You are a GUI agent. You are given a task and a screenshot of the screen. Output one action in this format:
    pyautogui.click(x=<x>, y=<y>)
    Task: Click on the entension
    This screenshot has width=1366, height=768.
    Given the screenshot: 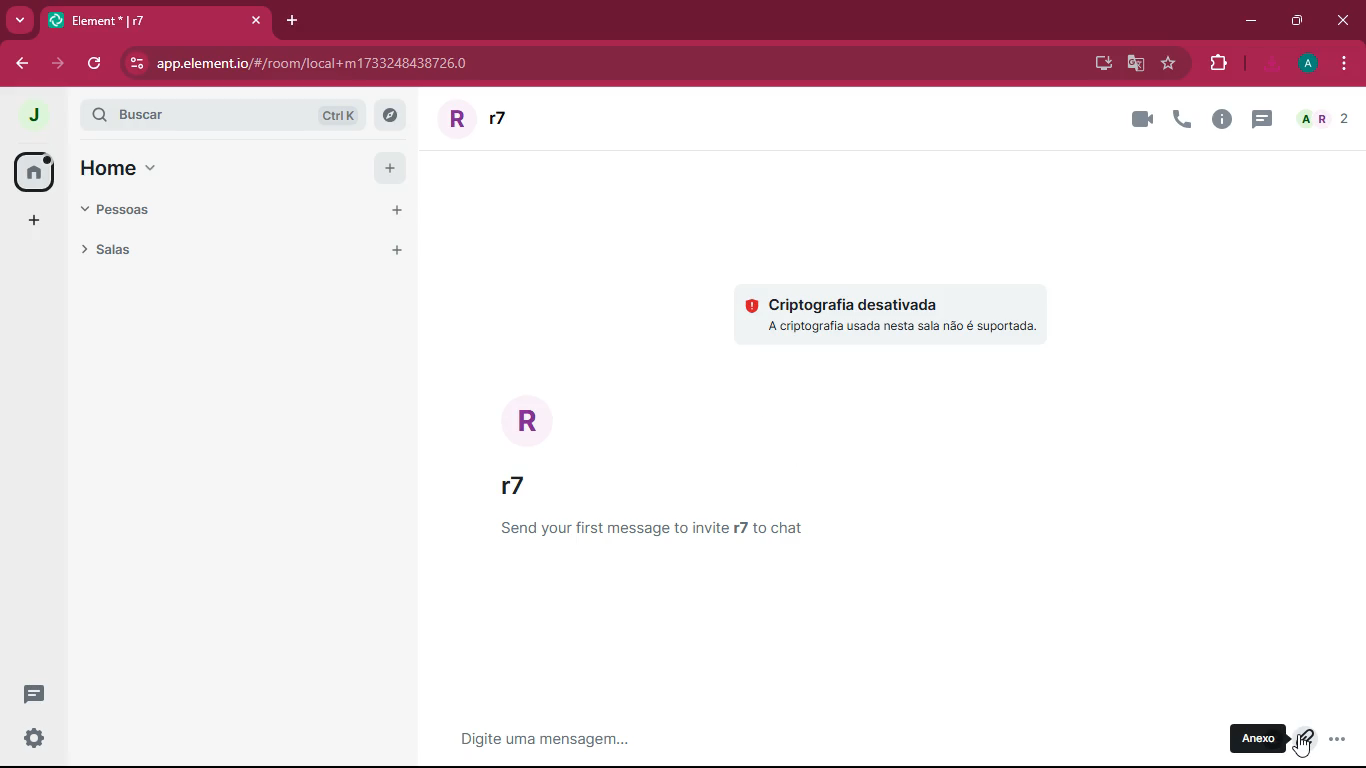 What is the action you would take?
    pyautogui.click(x=1214, y=64)
    